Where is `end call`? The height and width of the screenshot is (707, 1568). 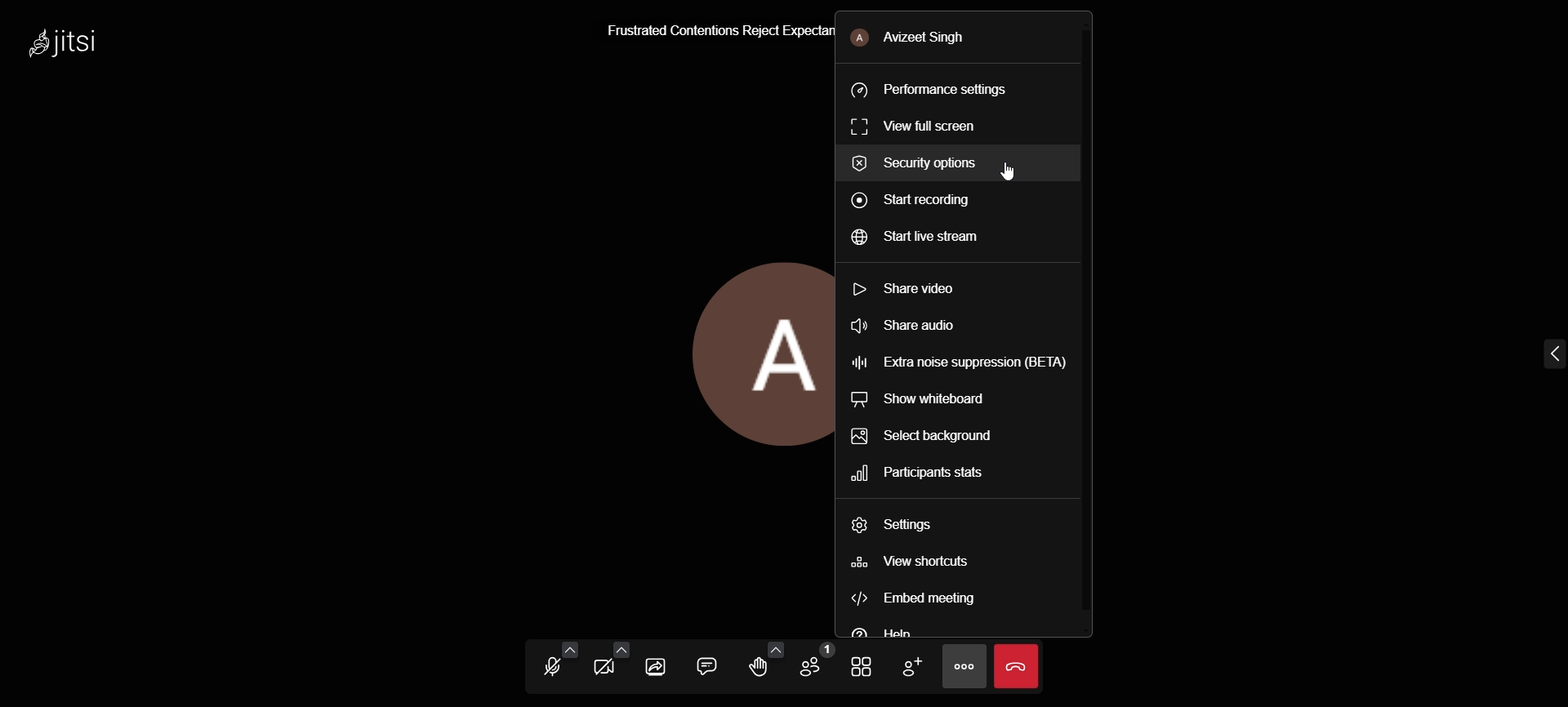
end call is located at coordinates (1019, 669).